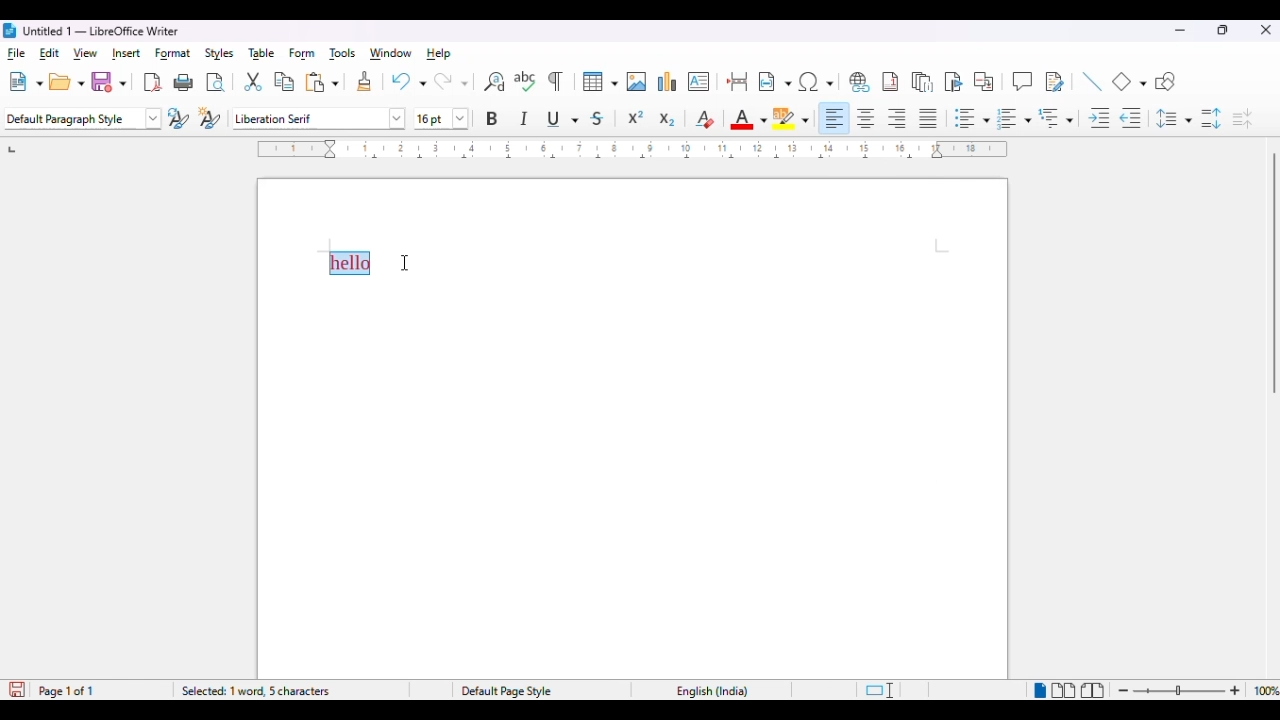 The height and width of the screenshot is (720, 1280). What do you see at coordinates (749, 119) in the screenshot?
I see `font color: red` at bounding box center [749, 119].